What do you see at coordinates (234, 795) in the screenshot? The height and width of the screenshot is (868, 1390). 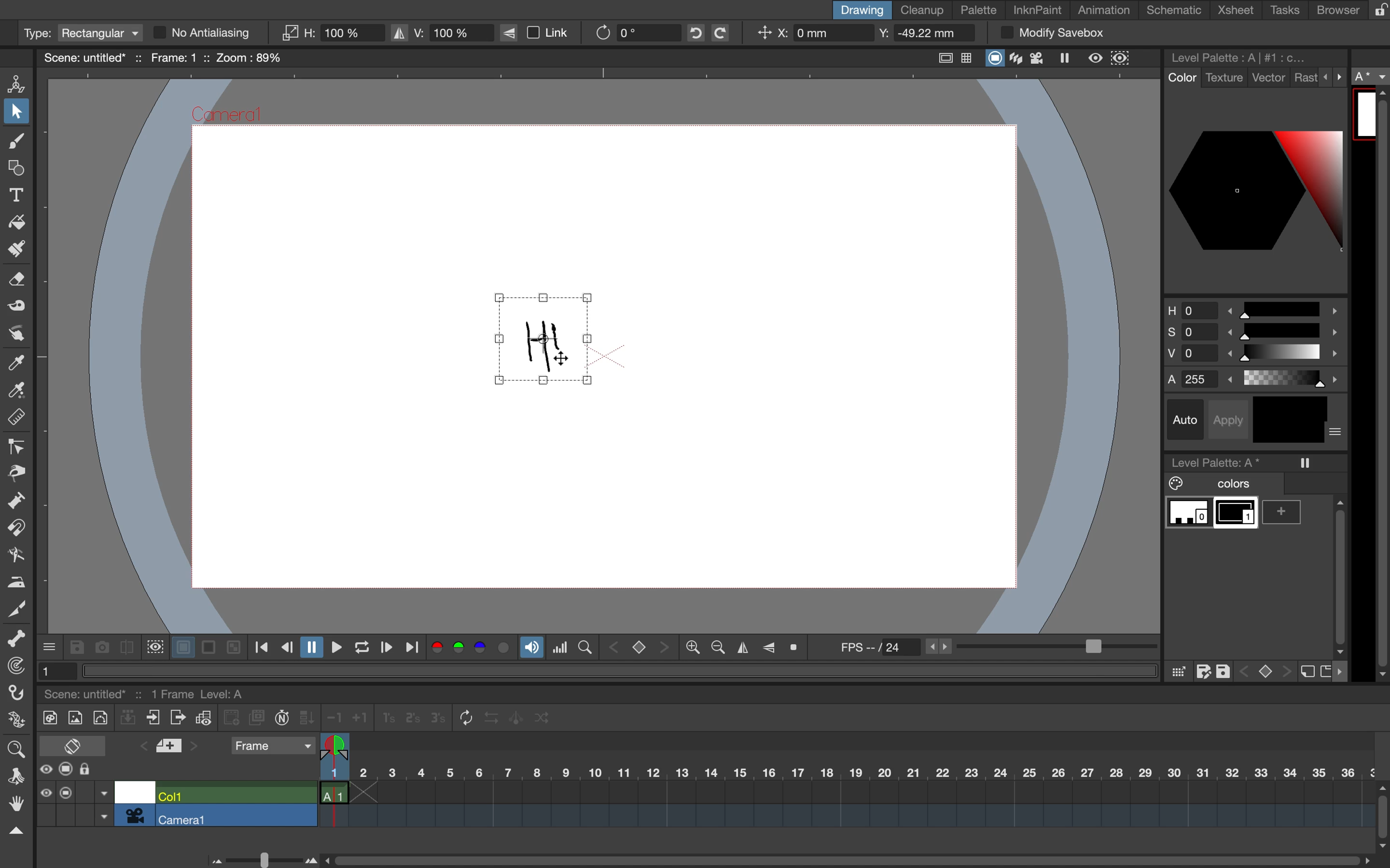 I see `col 1` at bounding box center [234, 795].